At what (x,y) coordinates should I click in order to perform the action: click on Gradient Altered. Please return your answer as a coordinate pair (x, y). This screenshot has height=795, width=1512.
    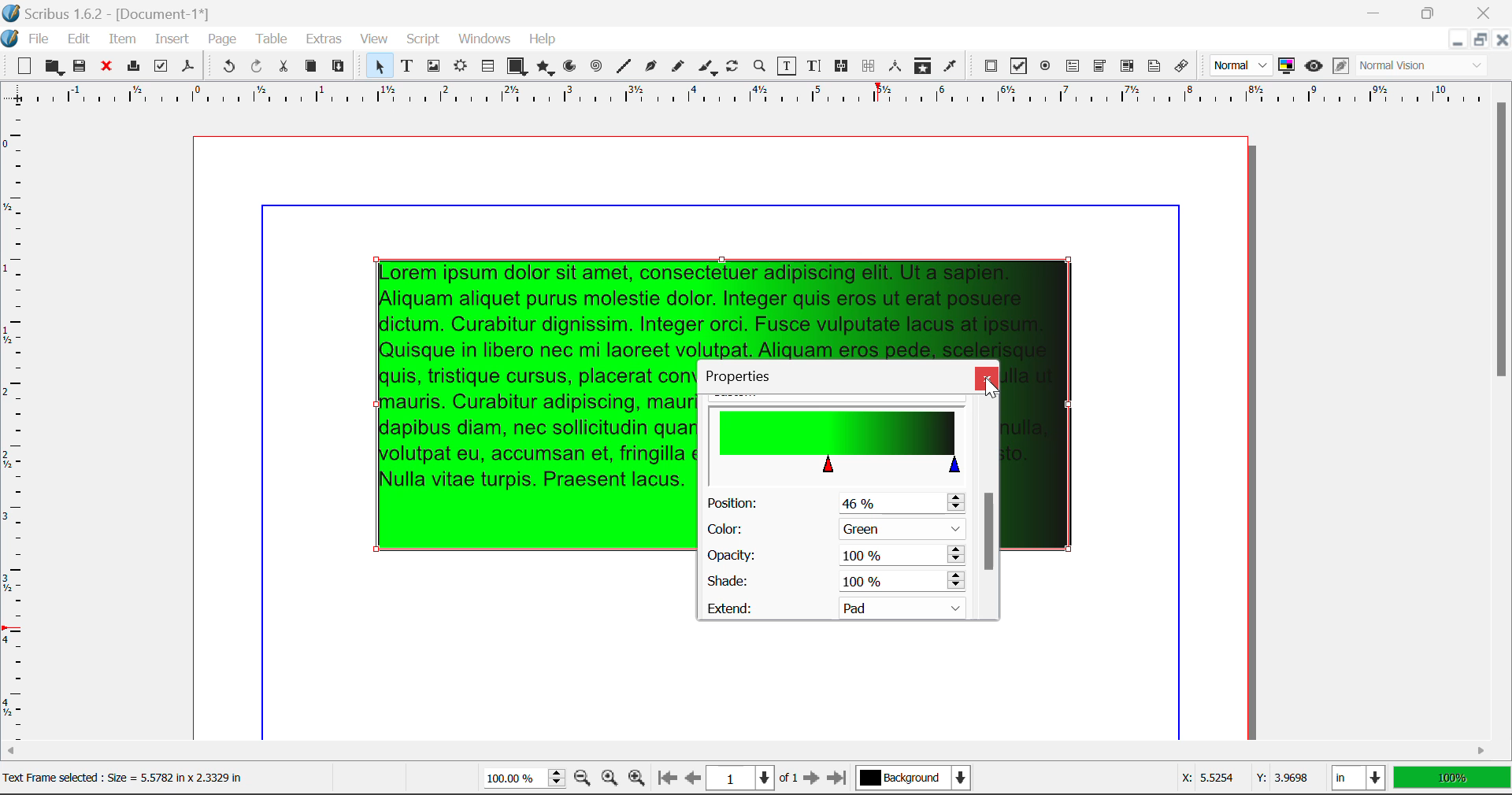
    Looking at the image, I should click on (838, 442).